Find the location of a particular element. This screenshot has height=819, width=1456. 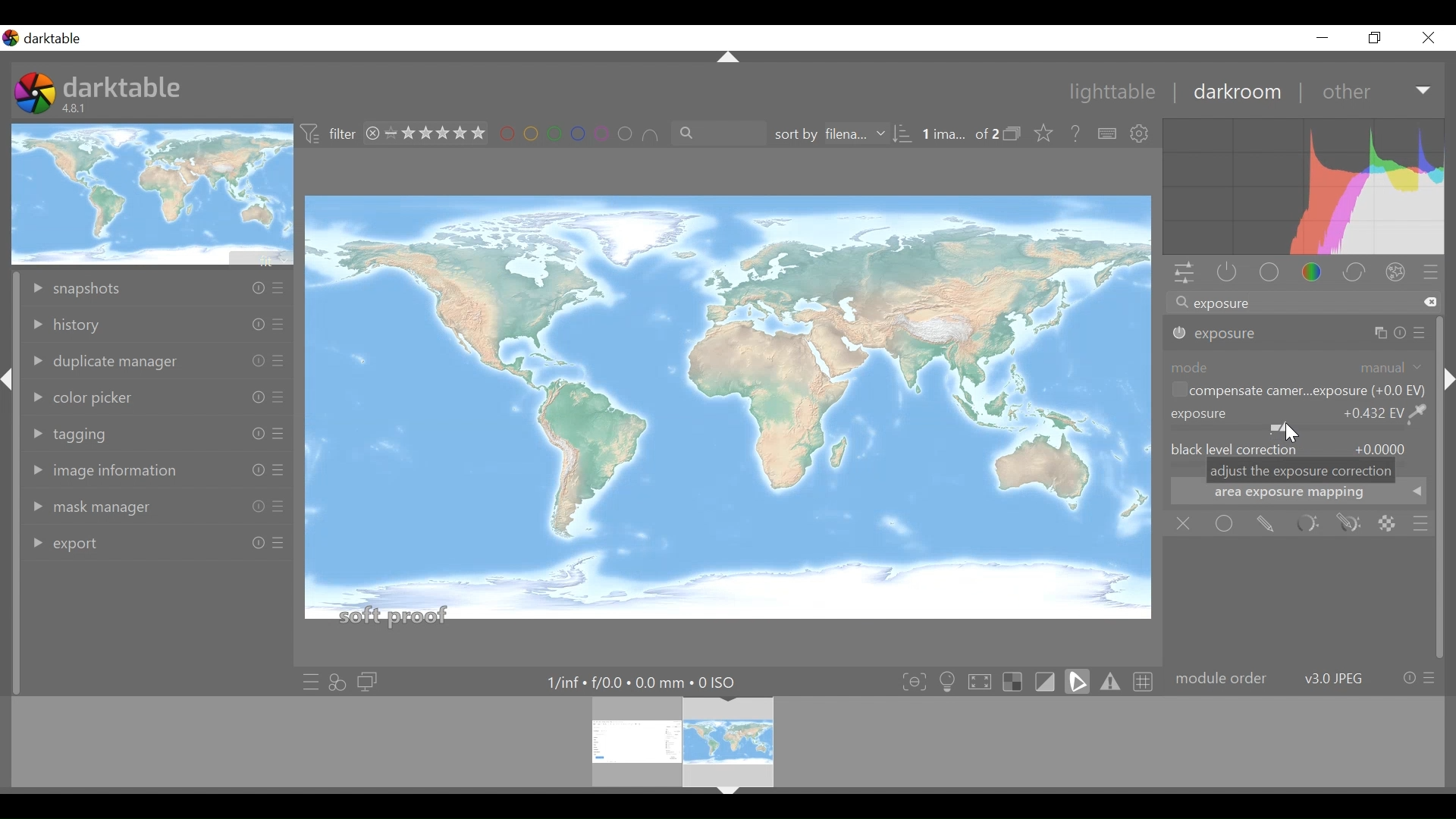

quick access for appyling any of styles  is located at coordinates (337, 682).